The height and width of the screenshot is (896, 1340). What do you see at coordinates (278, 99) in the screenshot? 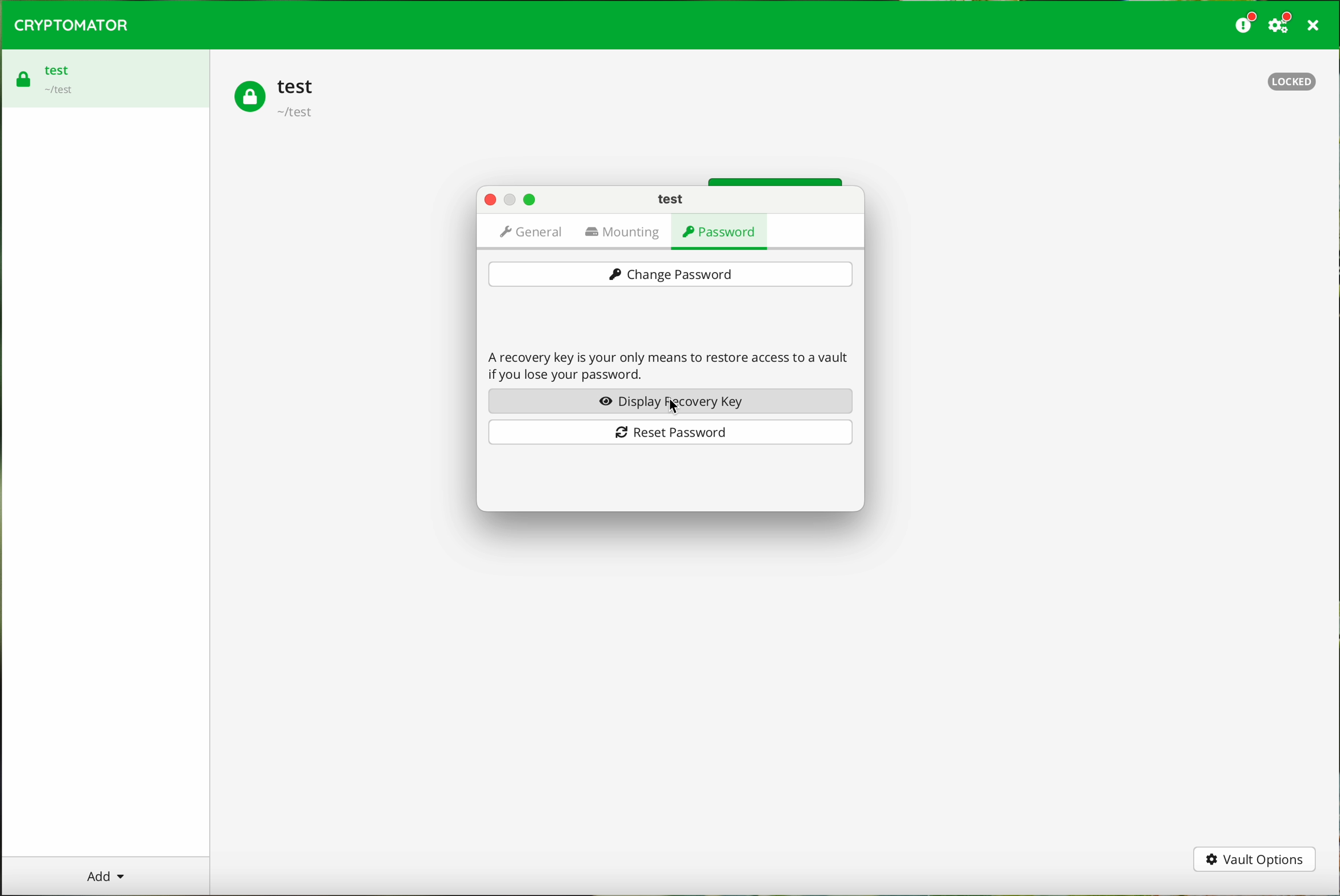
I see `test vault` at bounding box center [278, 99].